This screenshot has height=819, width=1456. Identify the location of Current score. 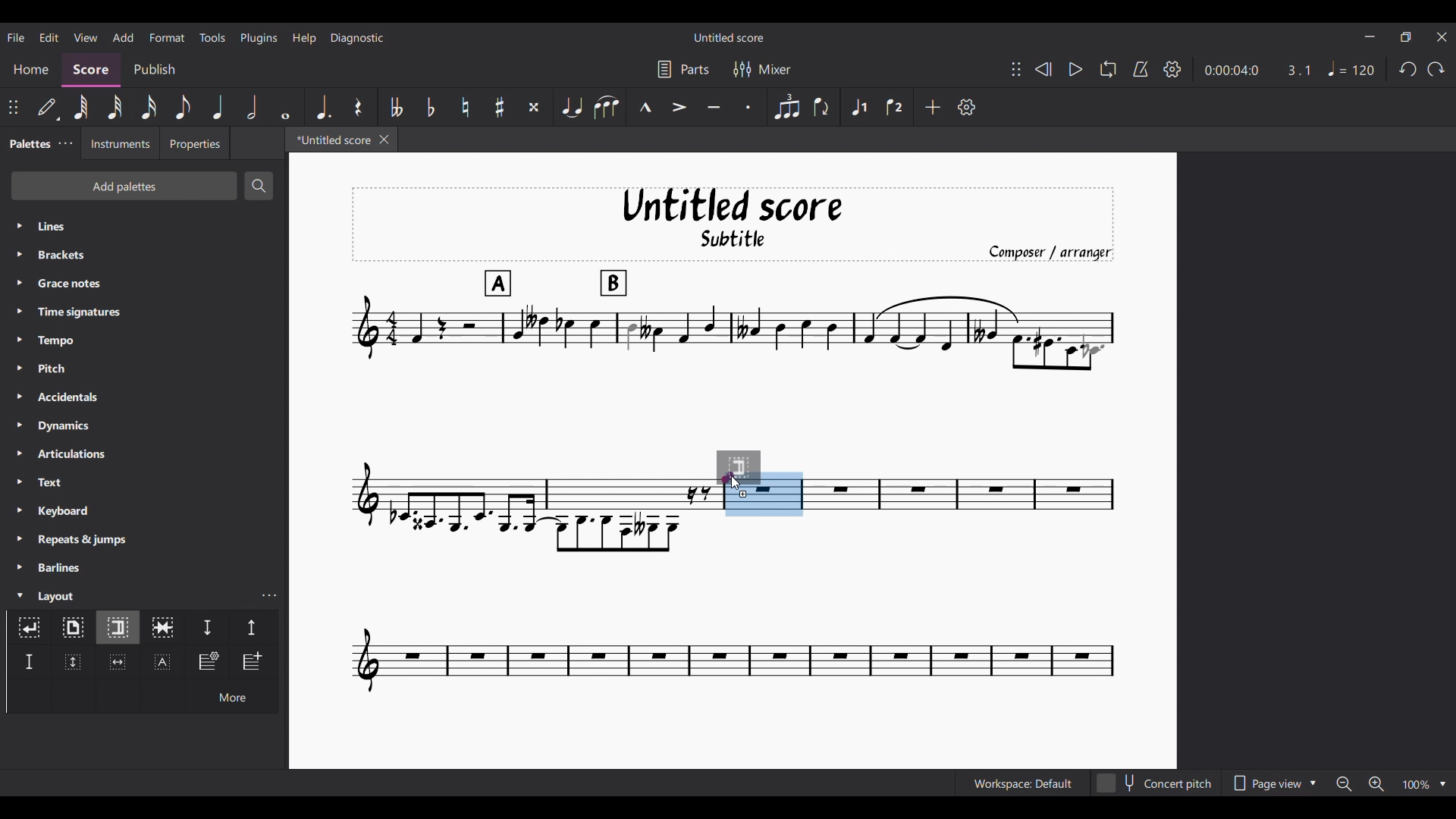
(732, 318).